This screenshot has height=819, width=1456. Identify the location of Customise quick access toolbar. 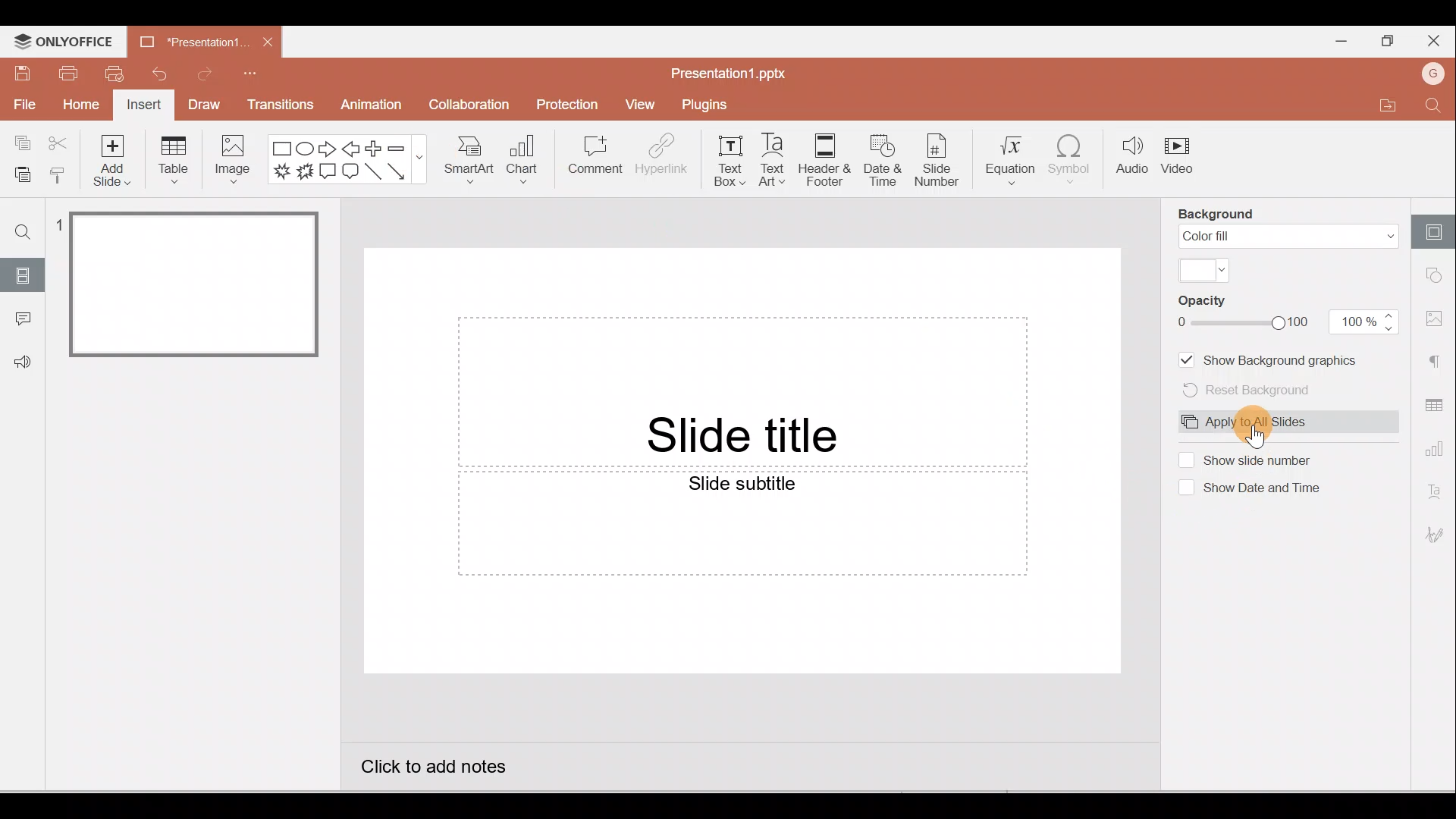
(265, 70).